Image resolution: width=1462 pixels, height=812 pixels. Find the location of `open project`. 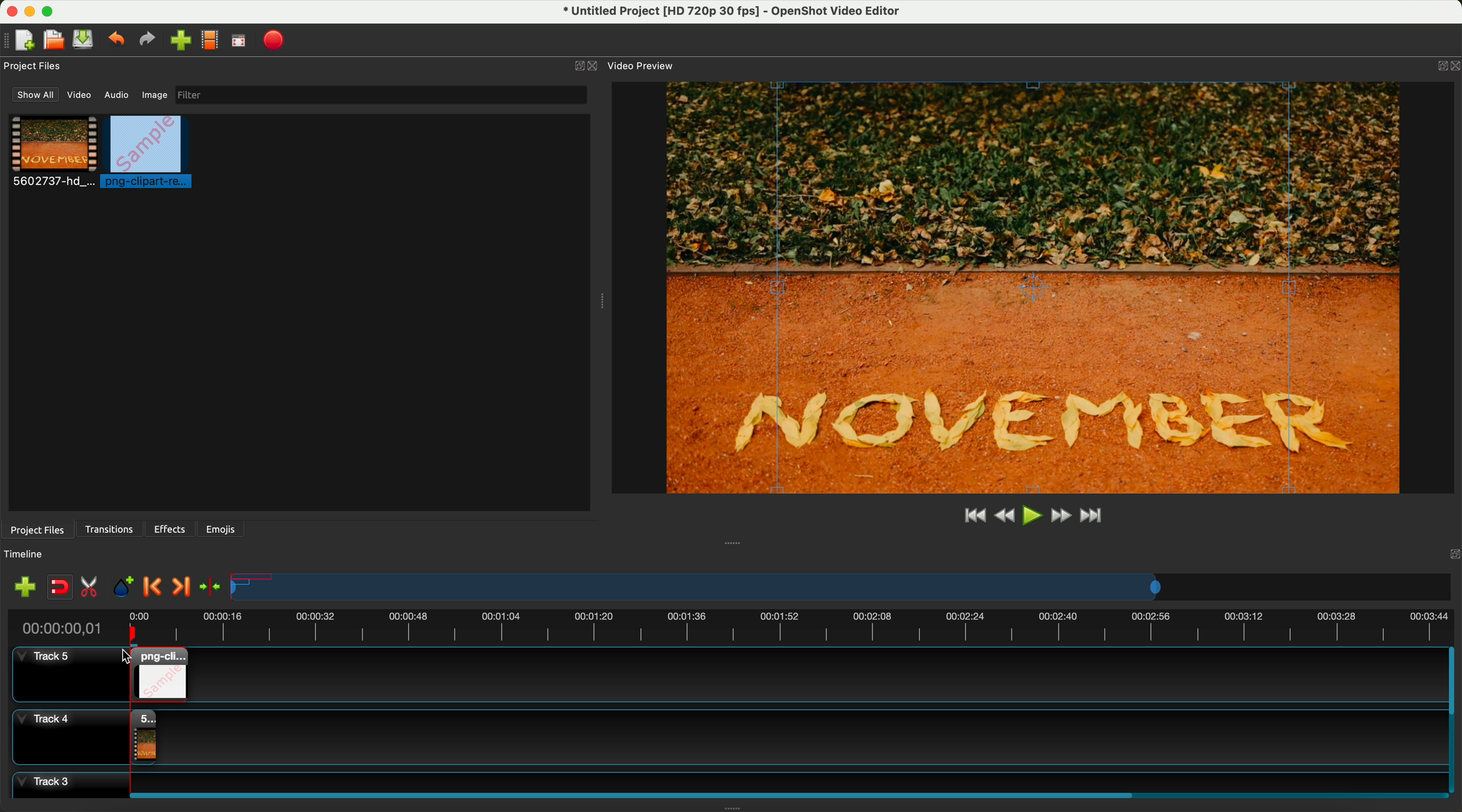

open project is located at coordinates (53, 41).